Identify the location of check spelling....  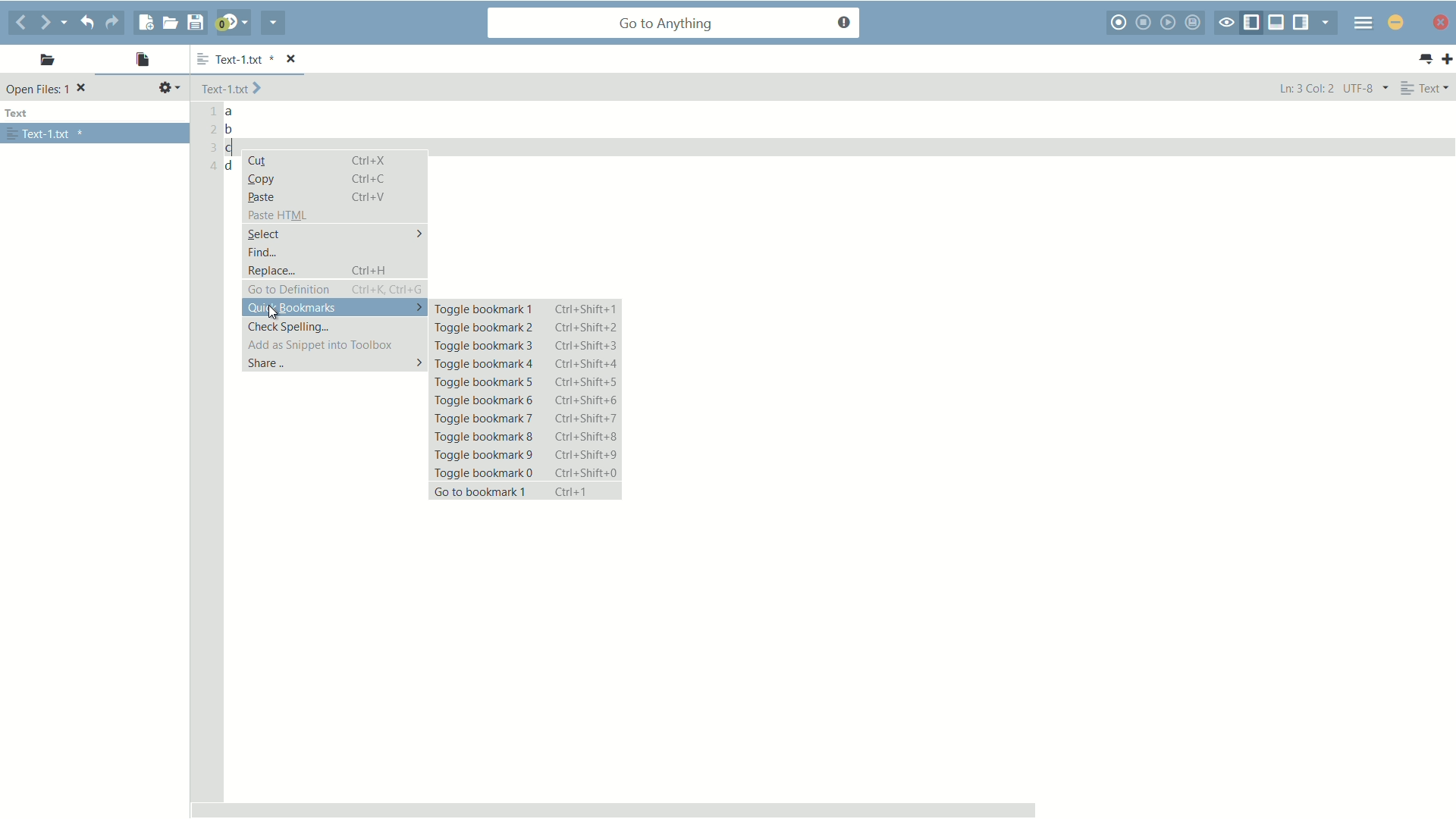
(290, 326).